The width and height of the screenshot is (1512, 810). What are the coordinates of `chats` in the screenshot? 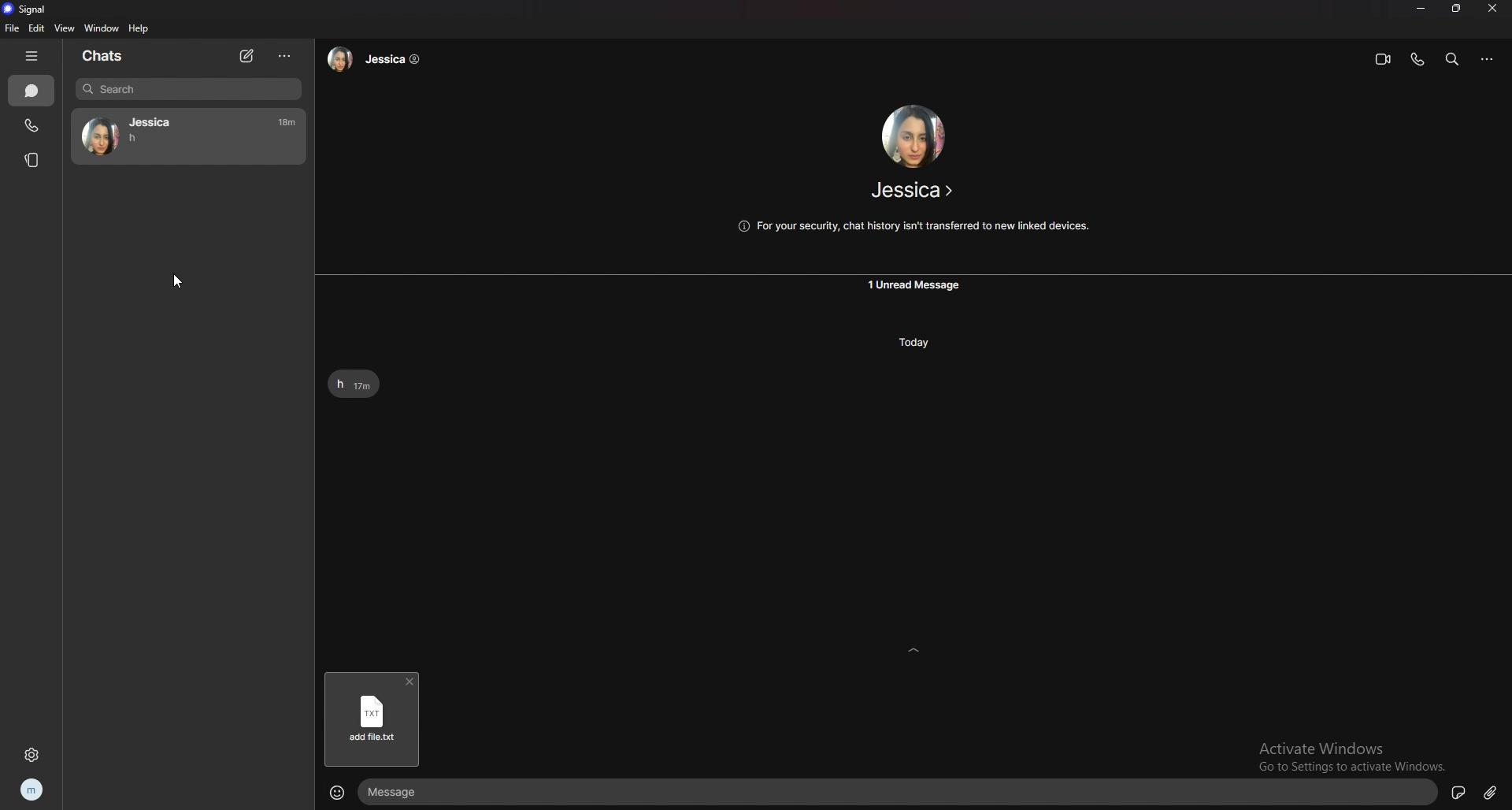 It's located at (107, 56).